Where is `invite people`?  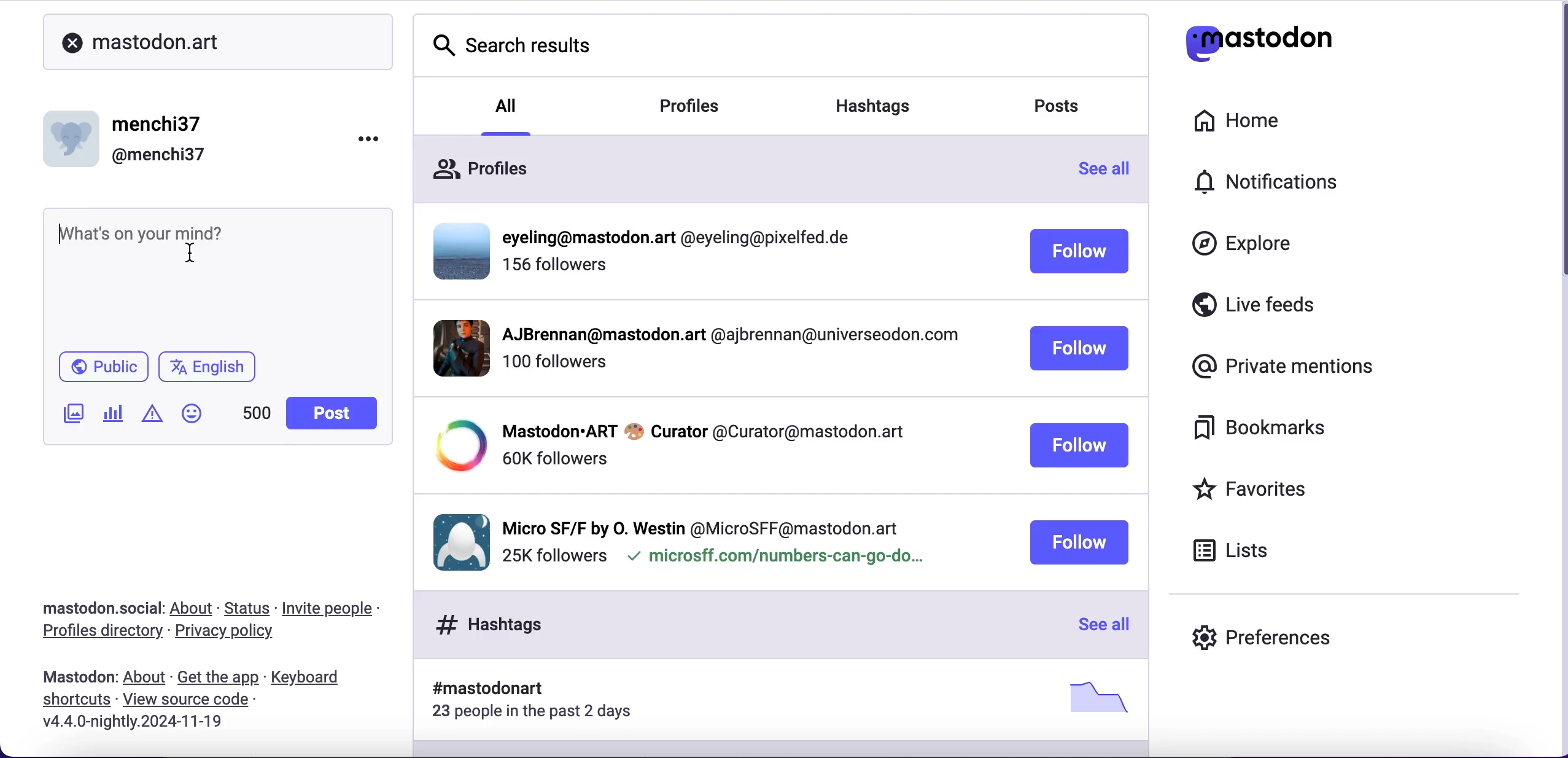 invite people is located at coordinates (335, 611).